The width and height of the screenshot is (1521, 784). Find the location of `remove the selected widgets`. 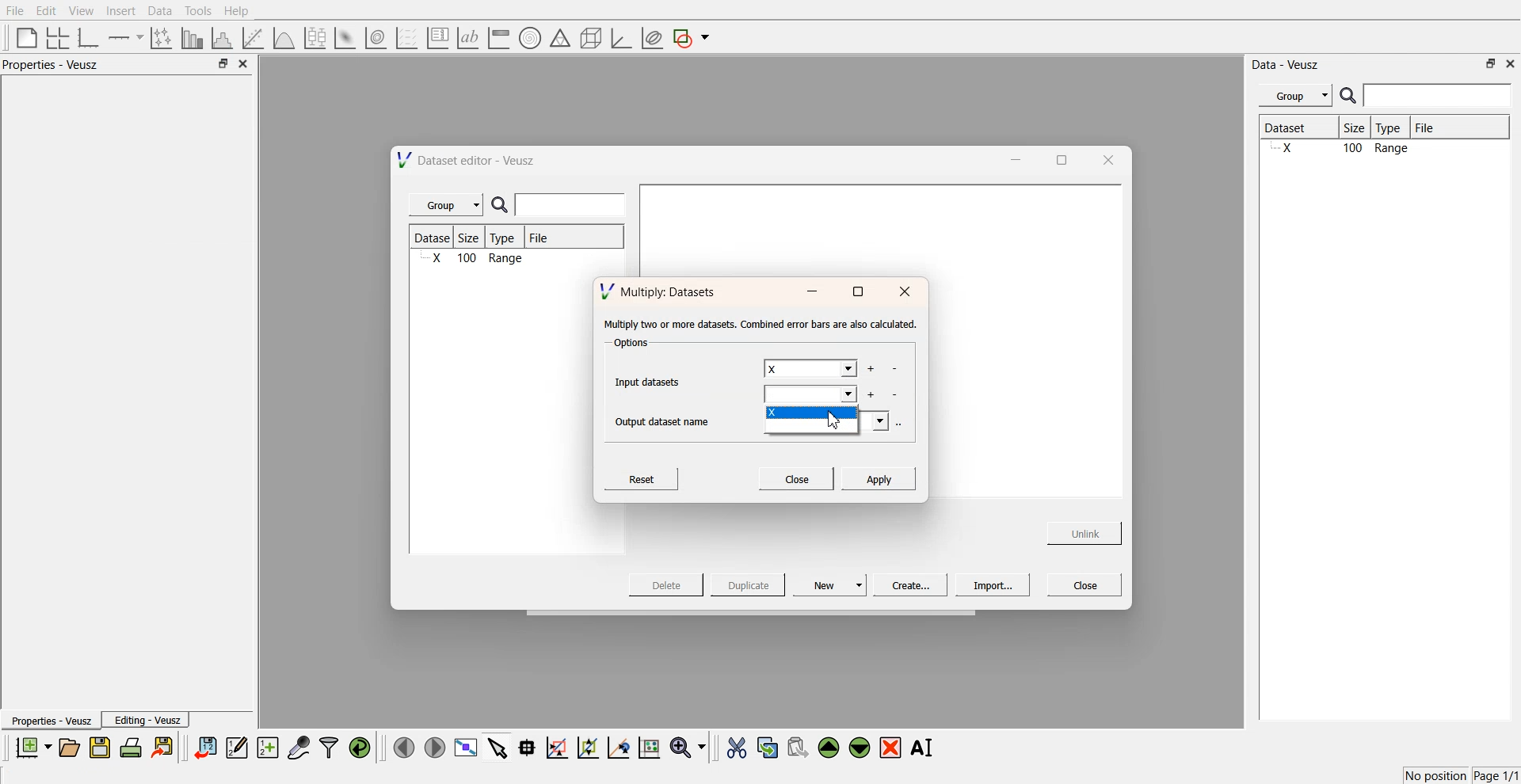

remove the selected widgets is located at coordinates (892, 748).